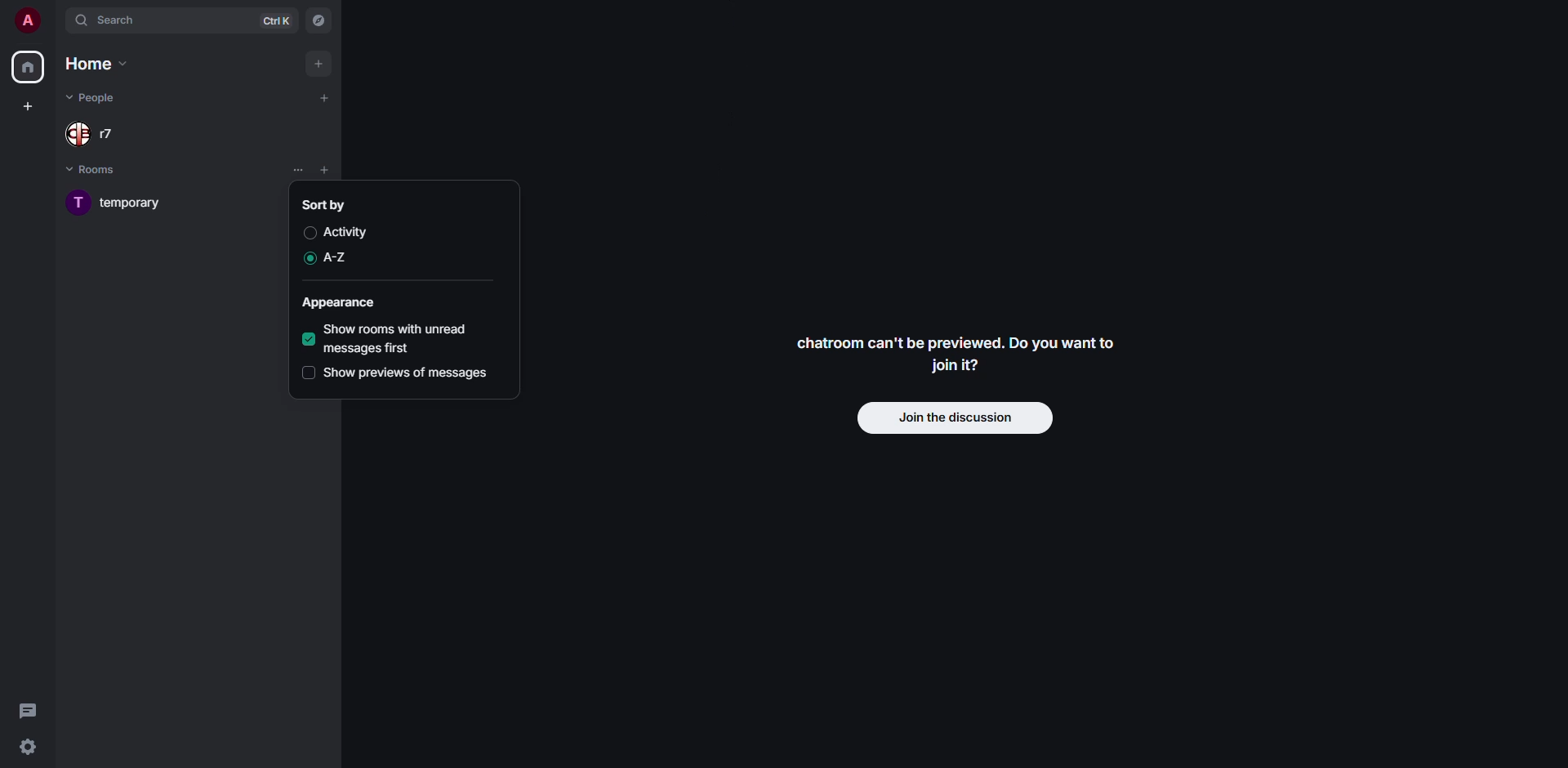 The image size is (1568, 768). What do you see at coordinates (350, 171) in the screenshot?
I see `list options` at bounding box center [350, 171].